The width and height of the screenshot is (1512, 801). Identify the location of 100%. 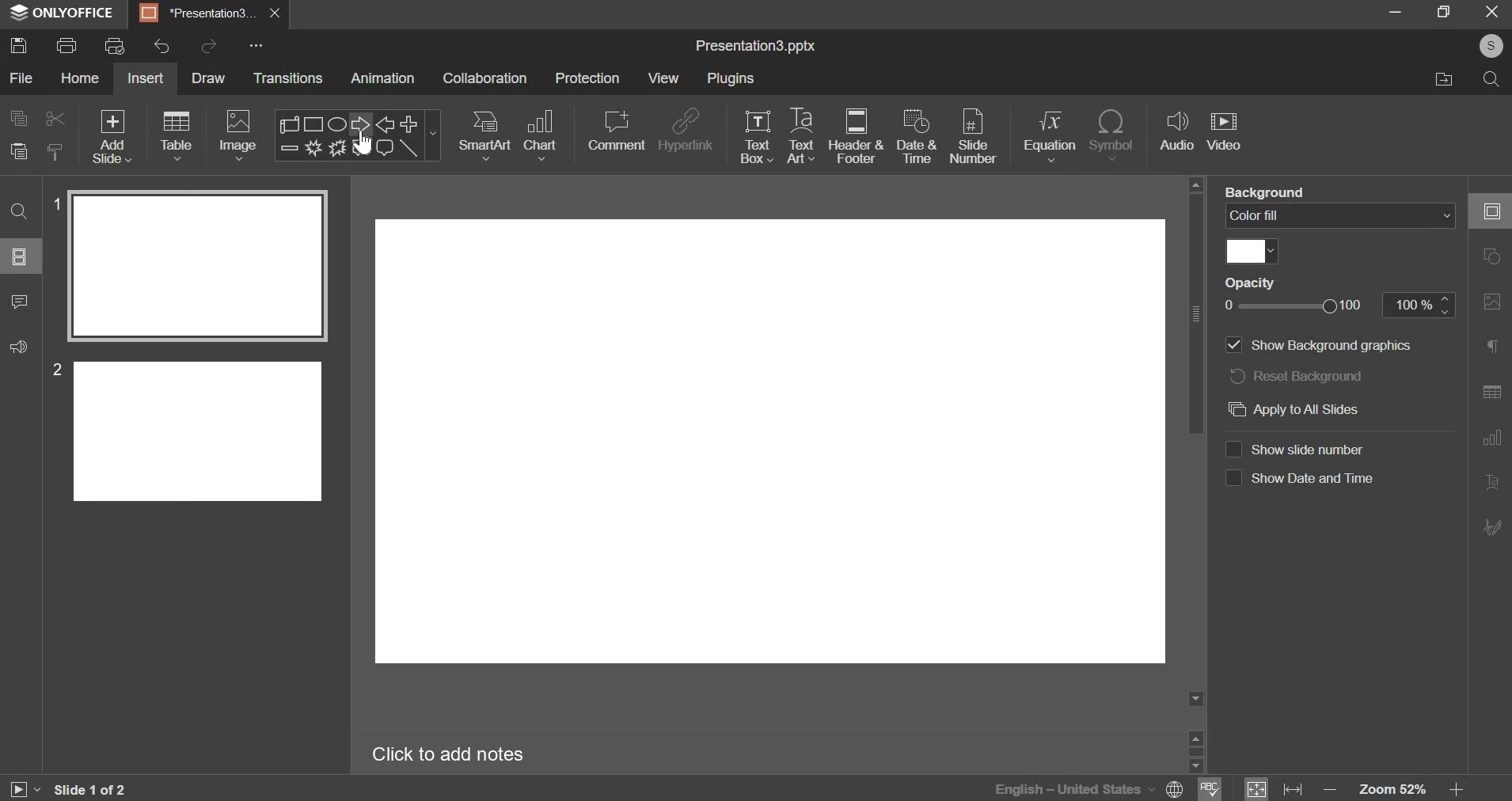
(1419, 305).